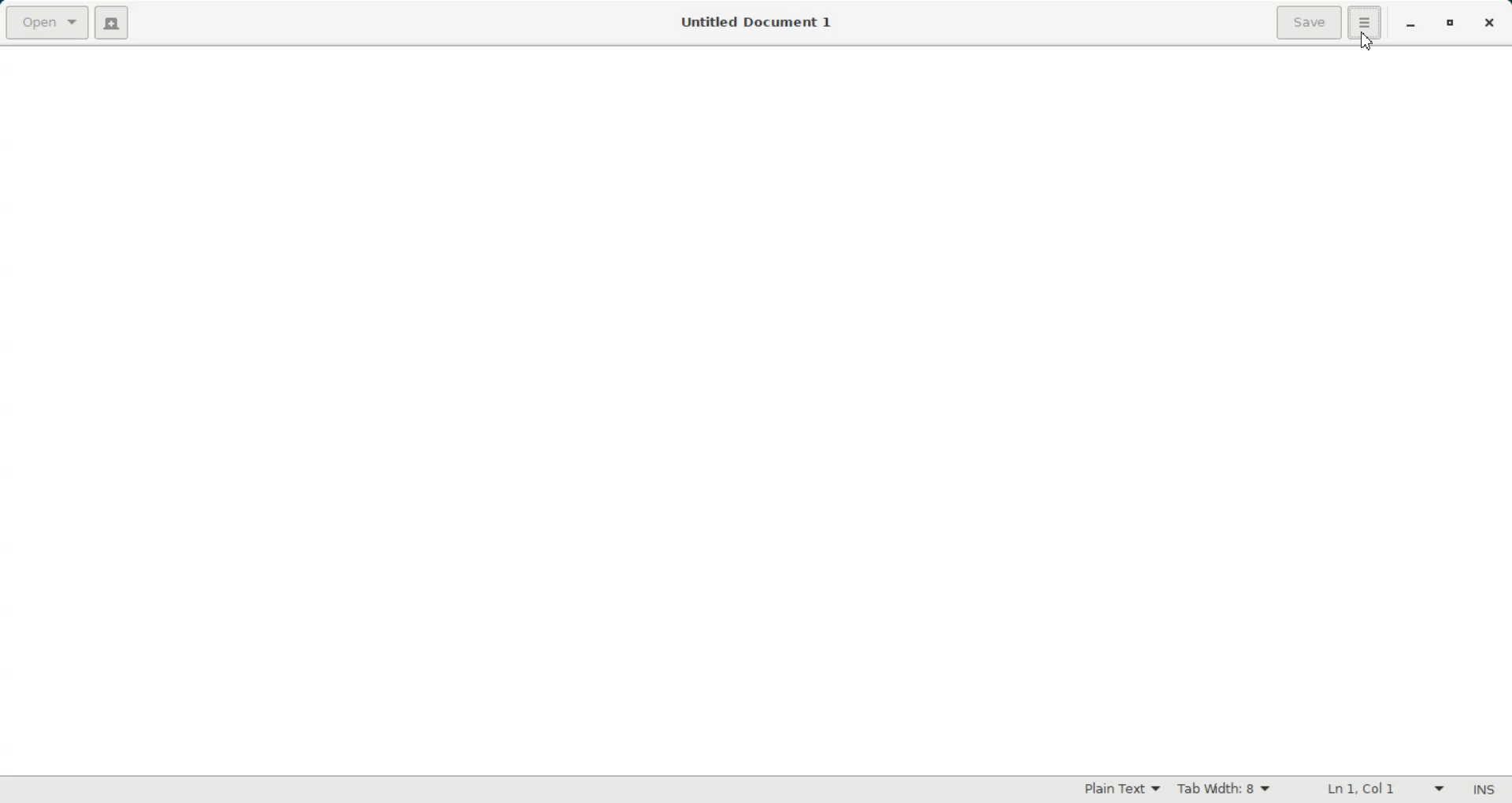 The width and height of the screenshot is (1512, 803). I want to click on Hamburger setting, so click(1365, 23).